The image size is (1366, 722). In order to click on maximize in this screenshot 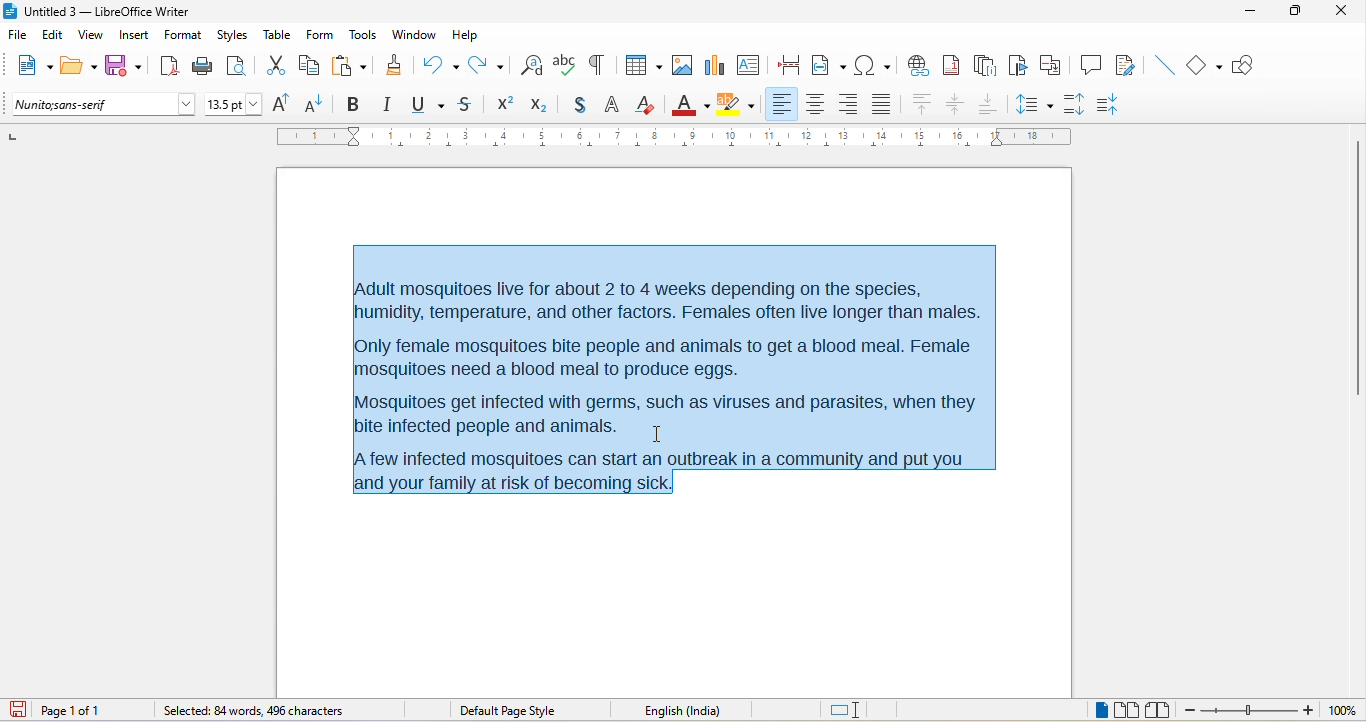, I will do `click(1288, 12)`.